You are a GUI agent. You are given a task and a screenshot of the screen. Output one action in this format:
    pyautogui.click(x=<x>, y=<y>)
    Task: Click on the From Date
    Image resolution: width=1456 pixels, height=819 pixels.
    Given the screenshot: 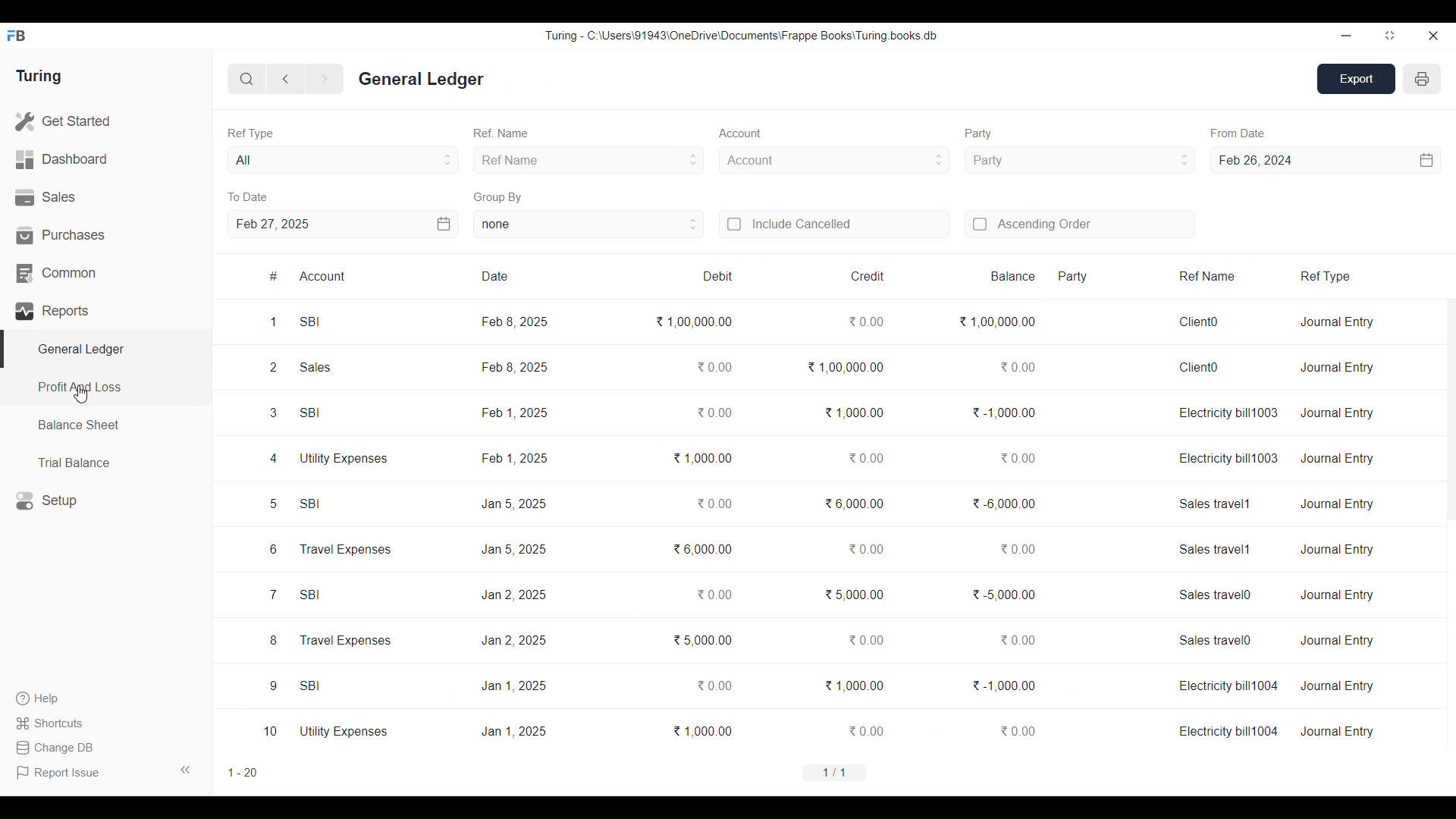 What is the action you would take?
    pyautogui.click(x=1238, y=133)
    